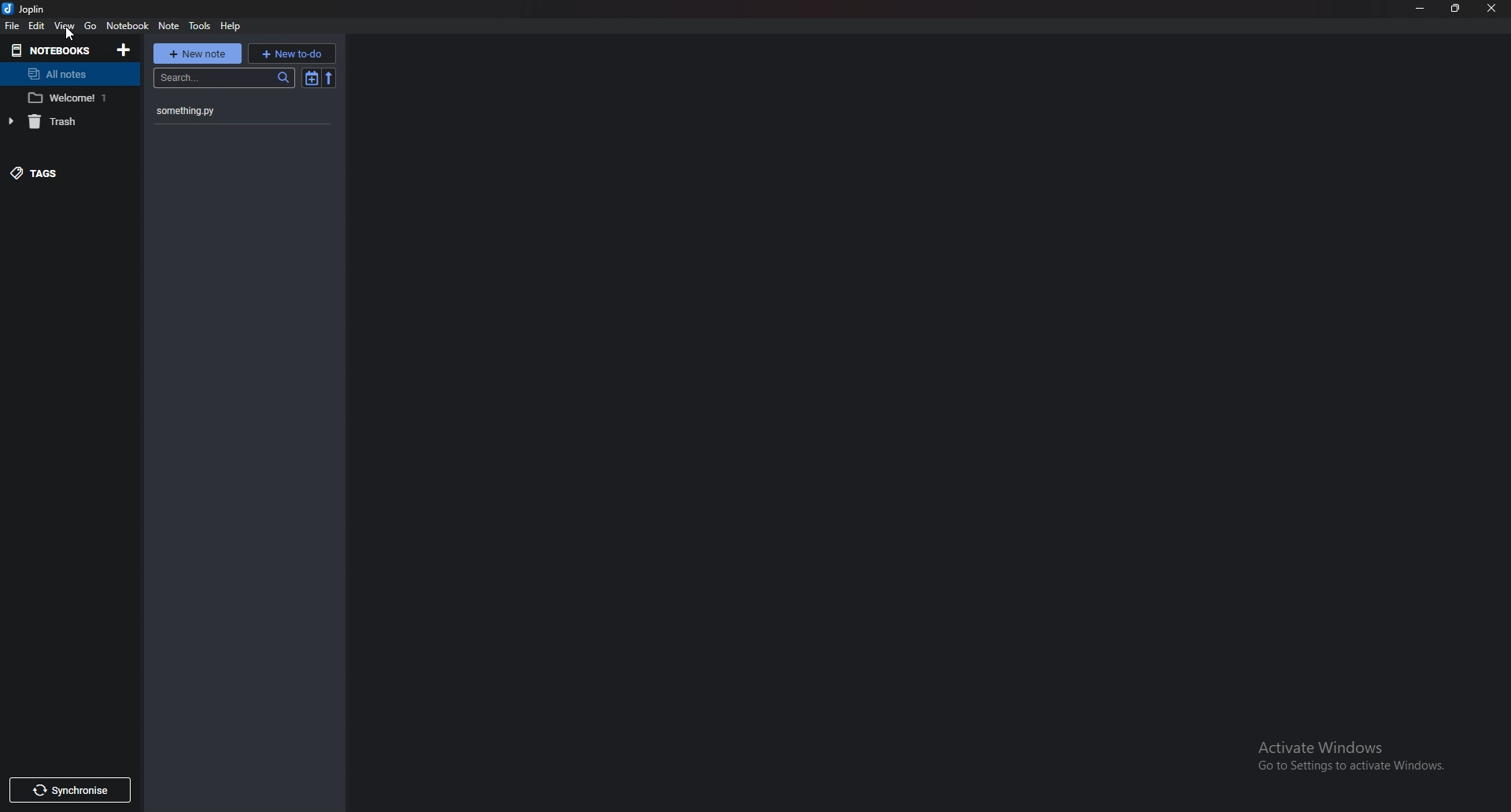 This screenshot has height=812, width=1511. I want to click on search, so click(225, 78).